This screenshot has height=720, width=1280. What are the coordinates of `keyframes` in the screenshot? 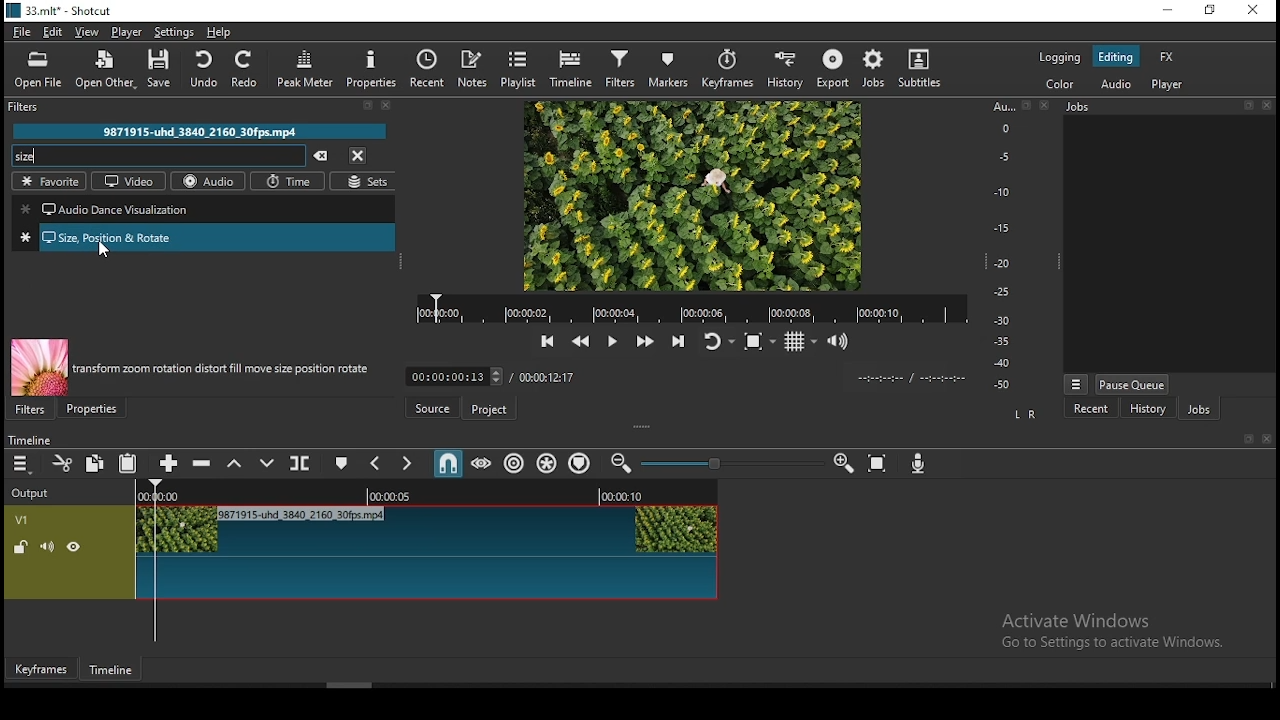 It's located at (43, 669).